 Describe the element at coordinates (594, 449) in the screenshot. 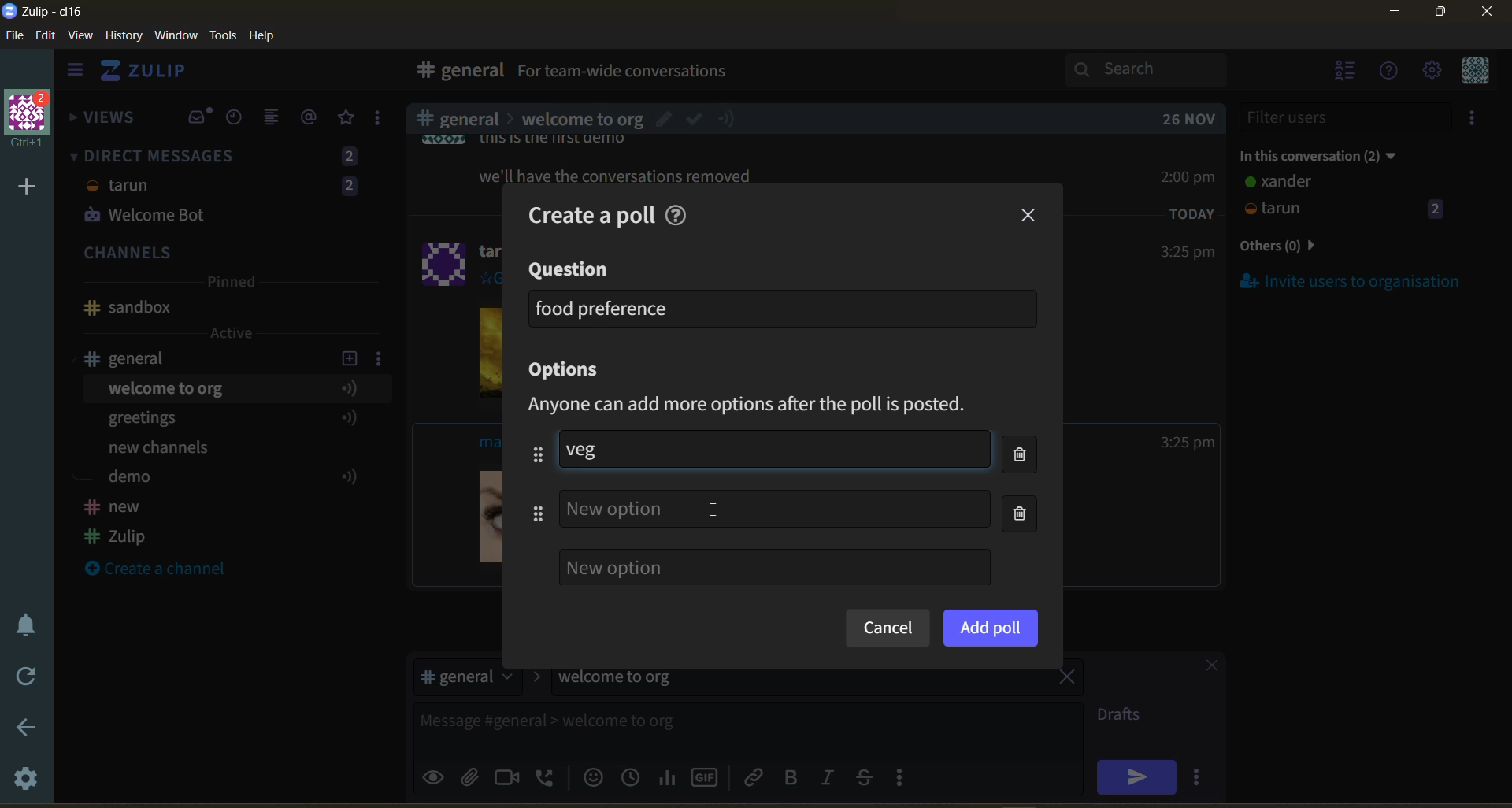

I see `option a (veg)` at that location.